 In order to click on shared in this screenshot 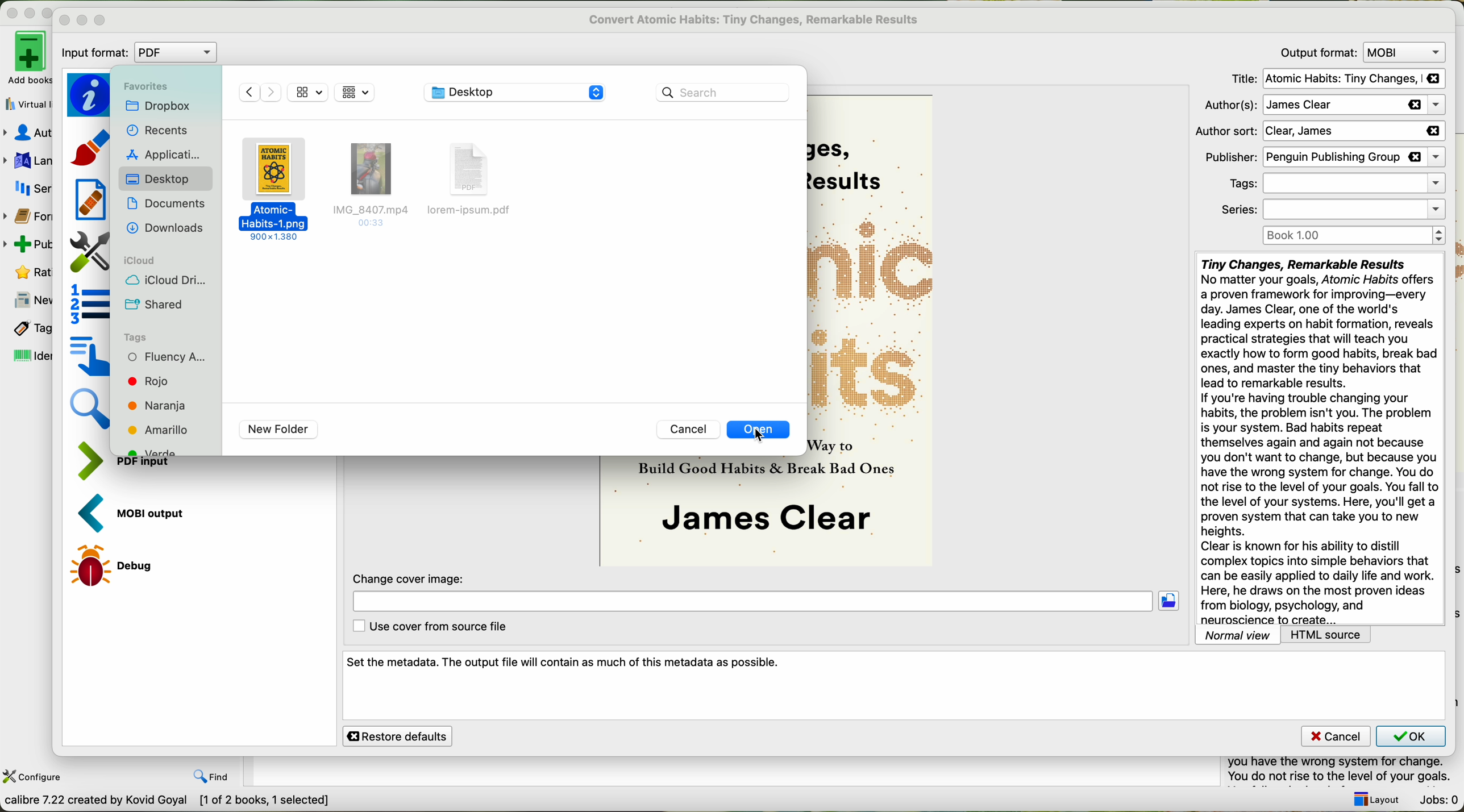, I will do `click(157, 305)`.